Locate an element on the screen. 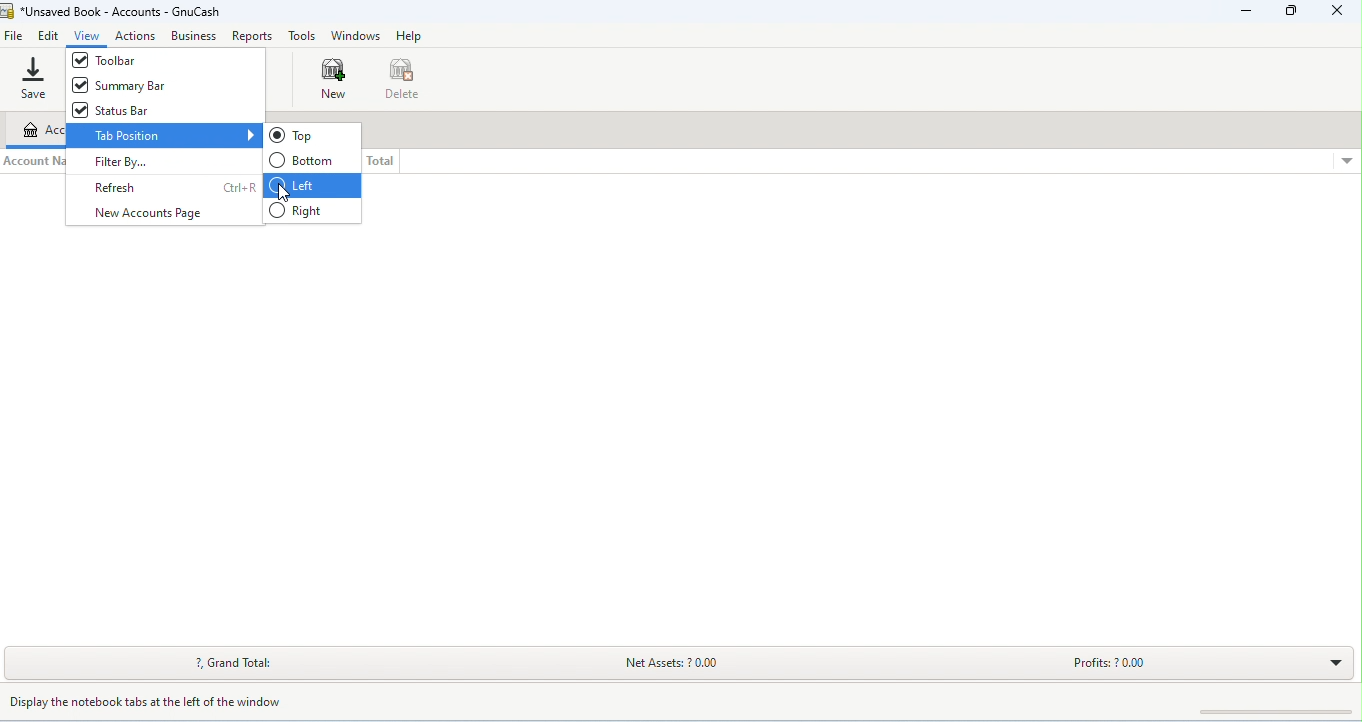  new is located at coordinates (339, 79).